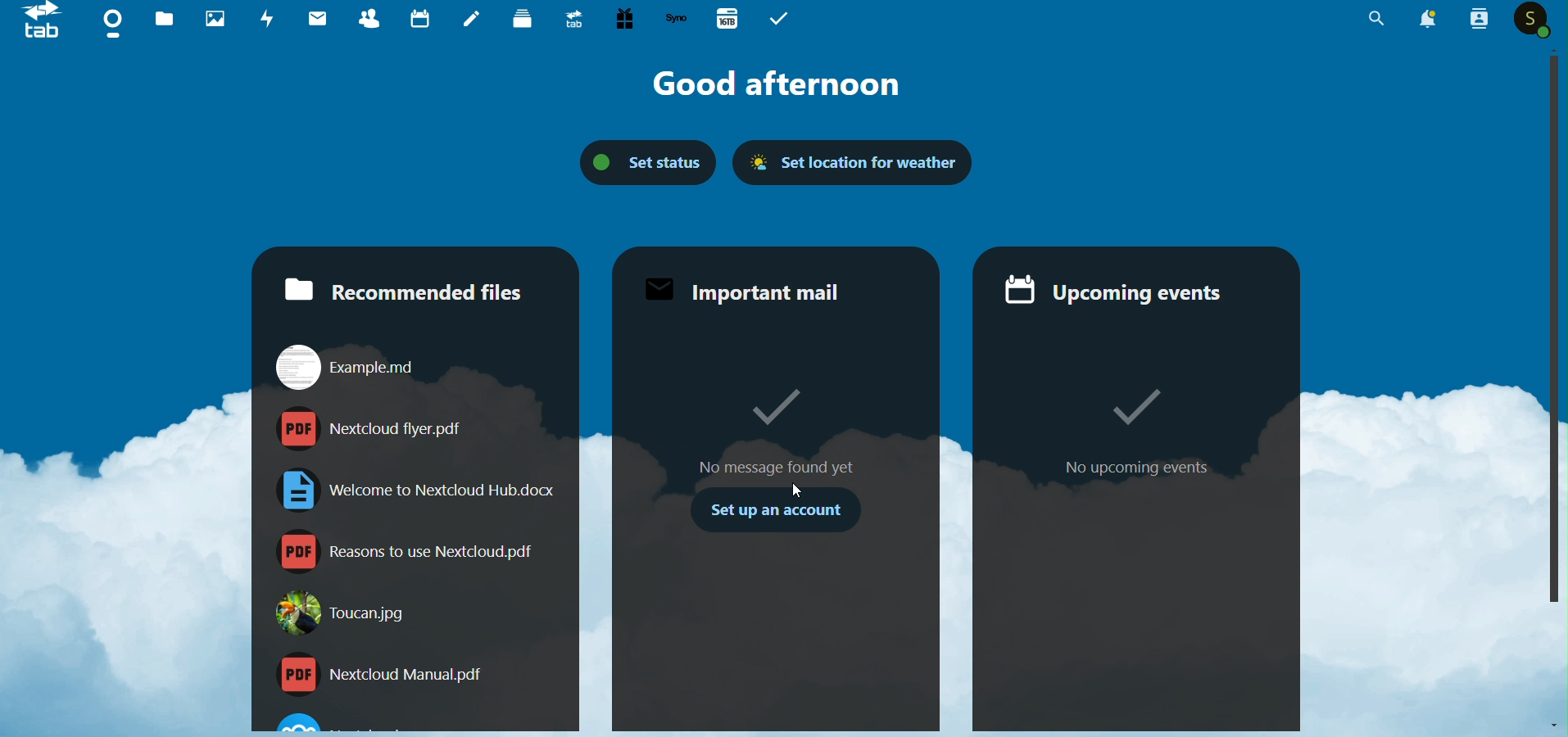 The height and width of the screenshot is (737, 1568). What do you see at coordinates (313, 19) in the screenshot?
I see `Mail` at bounding box center [313, 19].